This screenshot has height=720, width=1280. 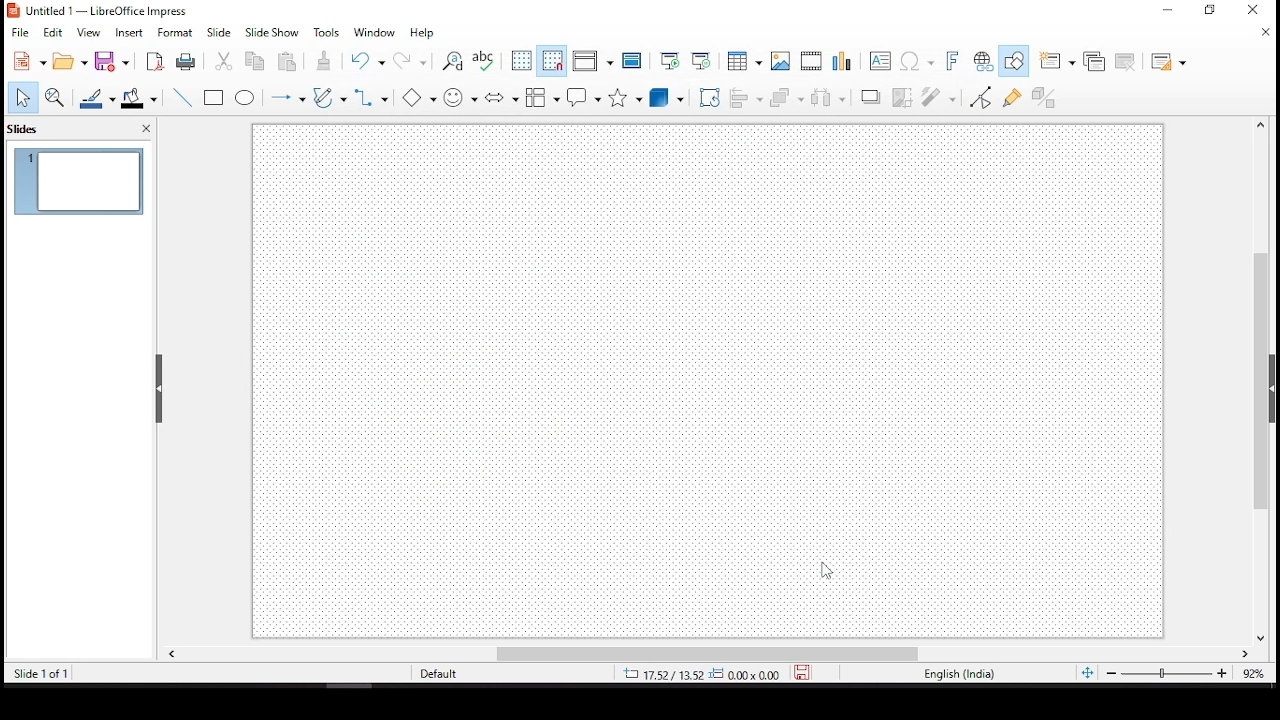 What do you see at coordinates (827, 97) in the screenshot?
I see `distribute` at bounding box center [827, 97].